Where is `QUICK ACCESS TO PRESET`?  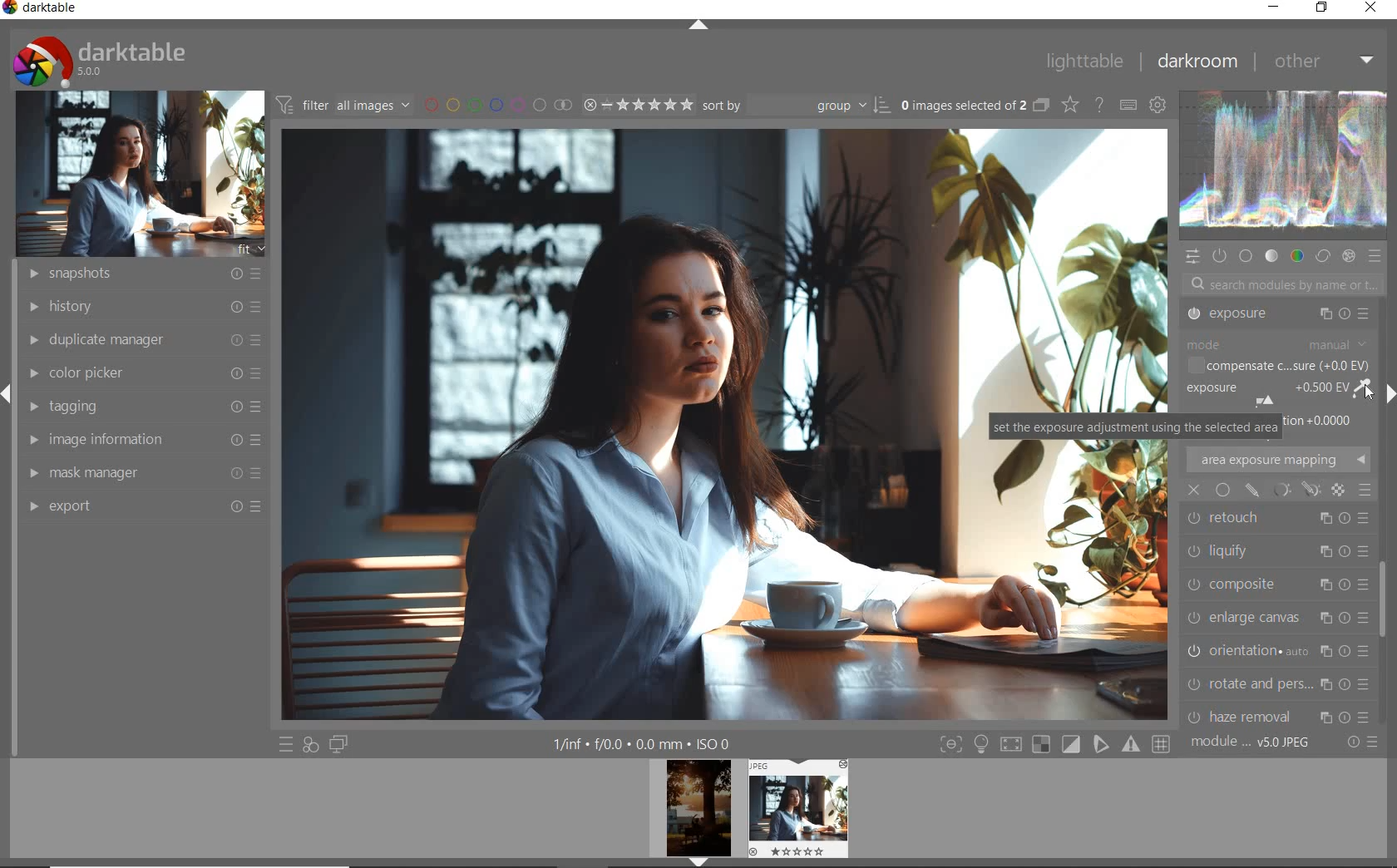 QUICK ACCESS TO PRESET is located at coordinates (285, 743).